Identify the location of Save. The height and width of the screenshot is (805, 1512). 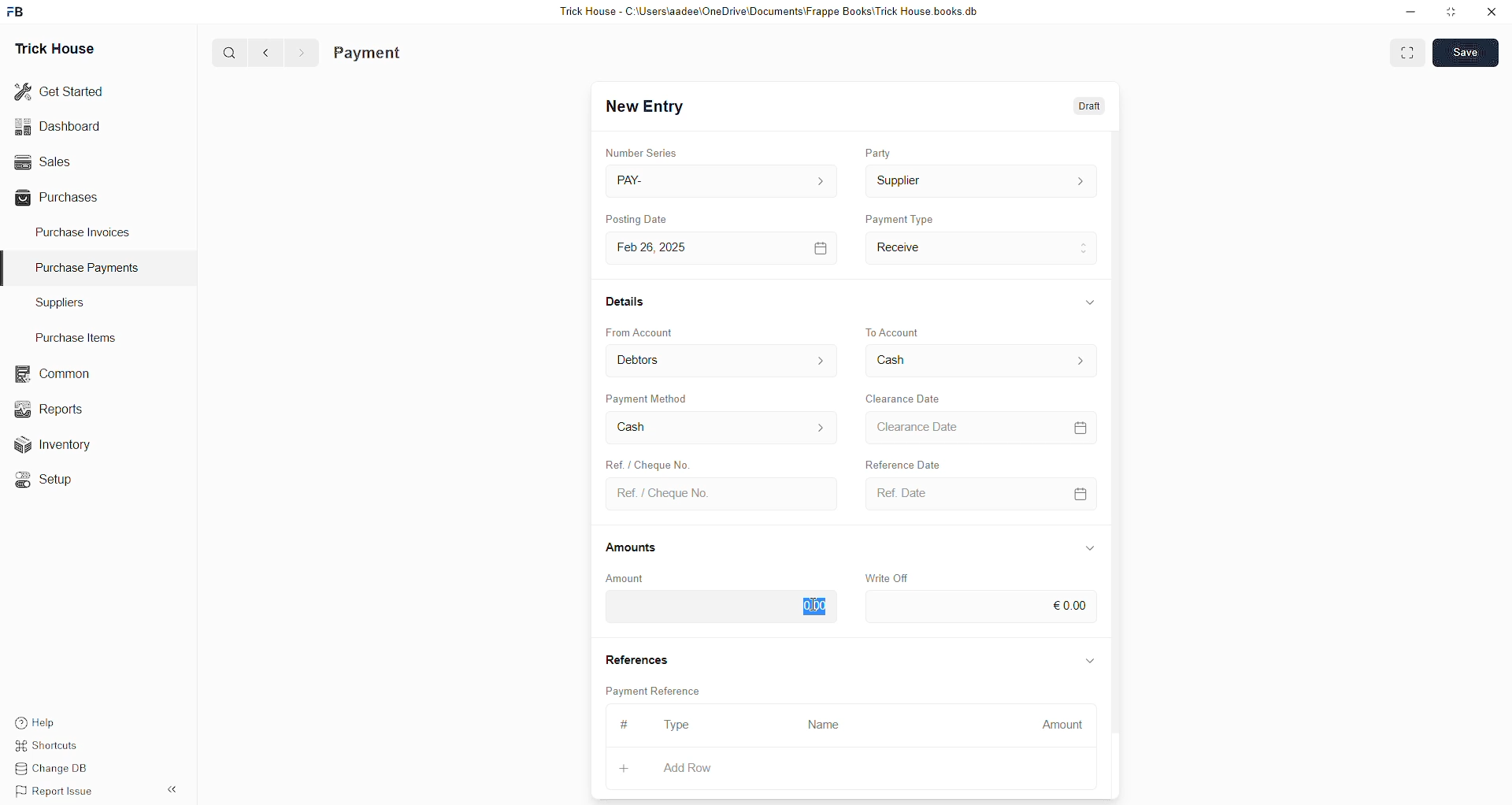
(1464, 54).